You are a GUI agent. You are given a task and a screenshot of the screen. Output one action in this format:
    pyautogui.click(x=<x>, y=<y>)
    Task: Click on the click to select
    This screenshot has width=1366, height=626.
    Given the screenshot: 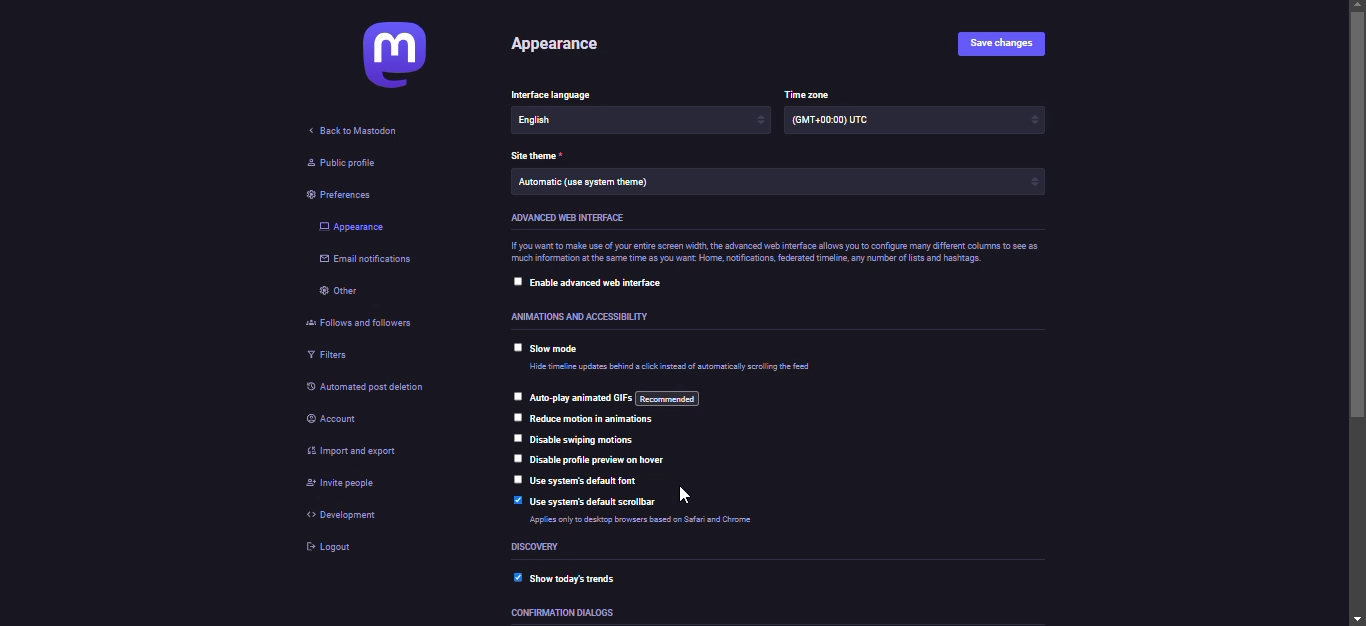 What is the action you would take?
    pyautogui.click(x=513, y=348)
    